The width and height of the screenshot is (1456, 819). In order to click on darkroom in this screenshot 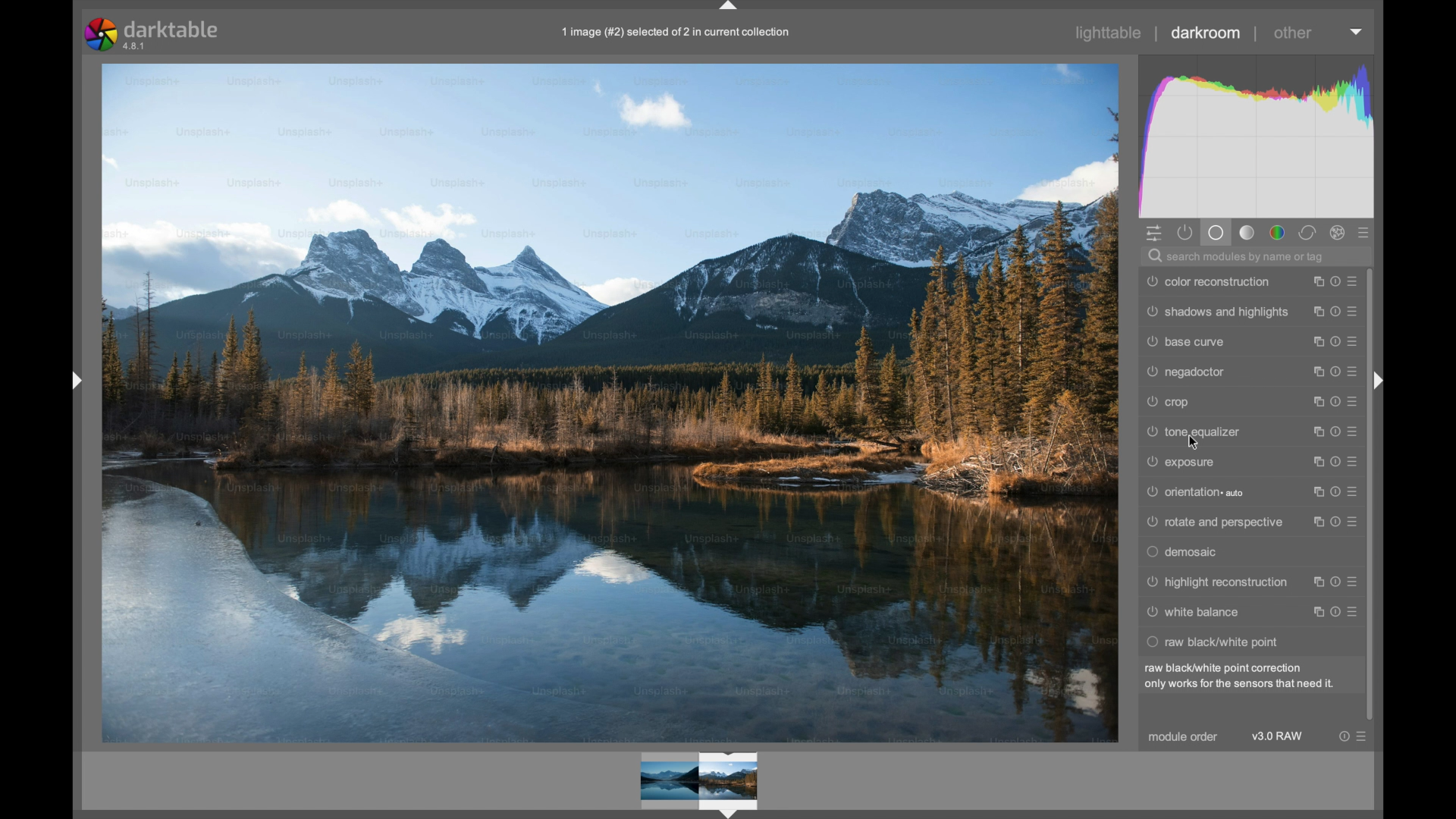, I will do `click(1206, 33)`.